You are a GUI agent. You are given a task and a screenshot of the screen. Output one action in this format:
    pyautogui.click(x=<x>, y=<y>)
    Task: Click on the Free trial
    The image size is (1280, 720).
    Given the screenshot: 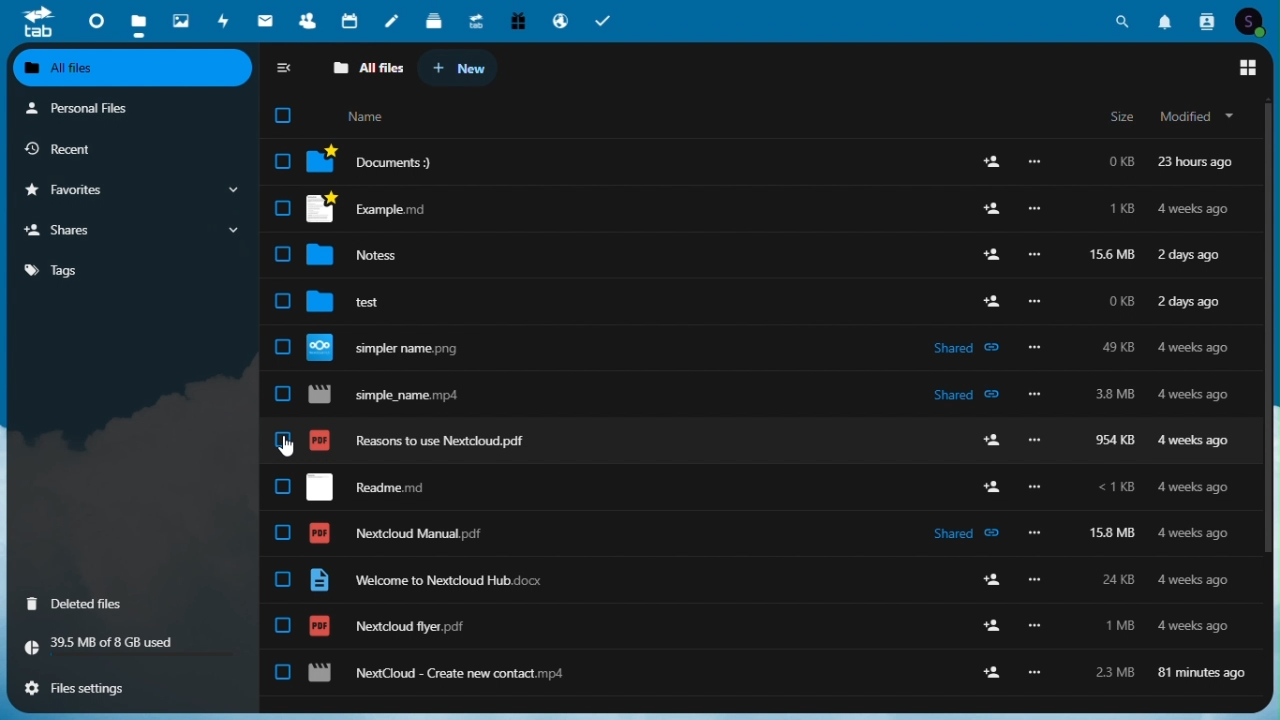 What is the action you would take?
    pyautogui.click(x=518, y=22)
    